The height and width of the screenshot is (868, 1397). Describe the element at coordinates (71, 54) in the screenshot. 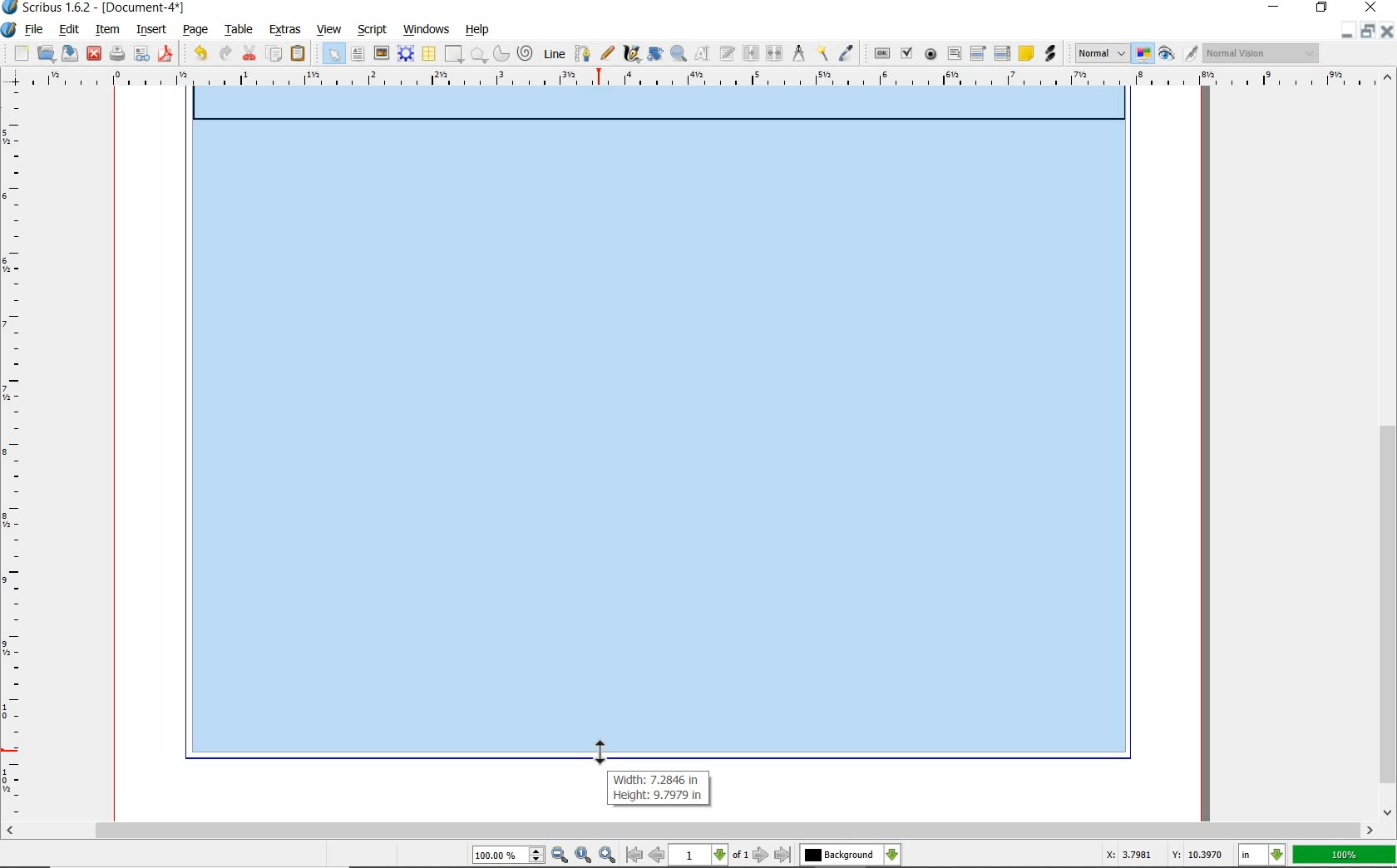

I see `save` at that location.